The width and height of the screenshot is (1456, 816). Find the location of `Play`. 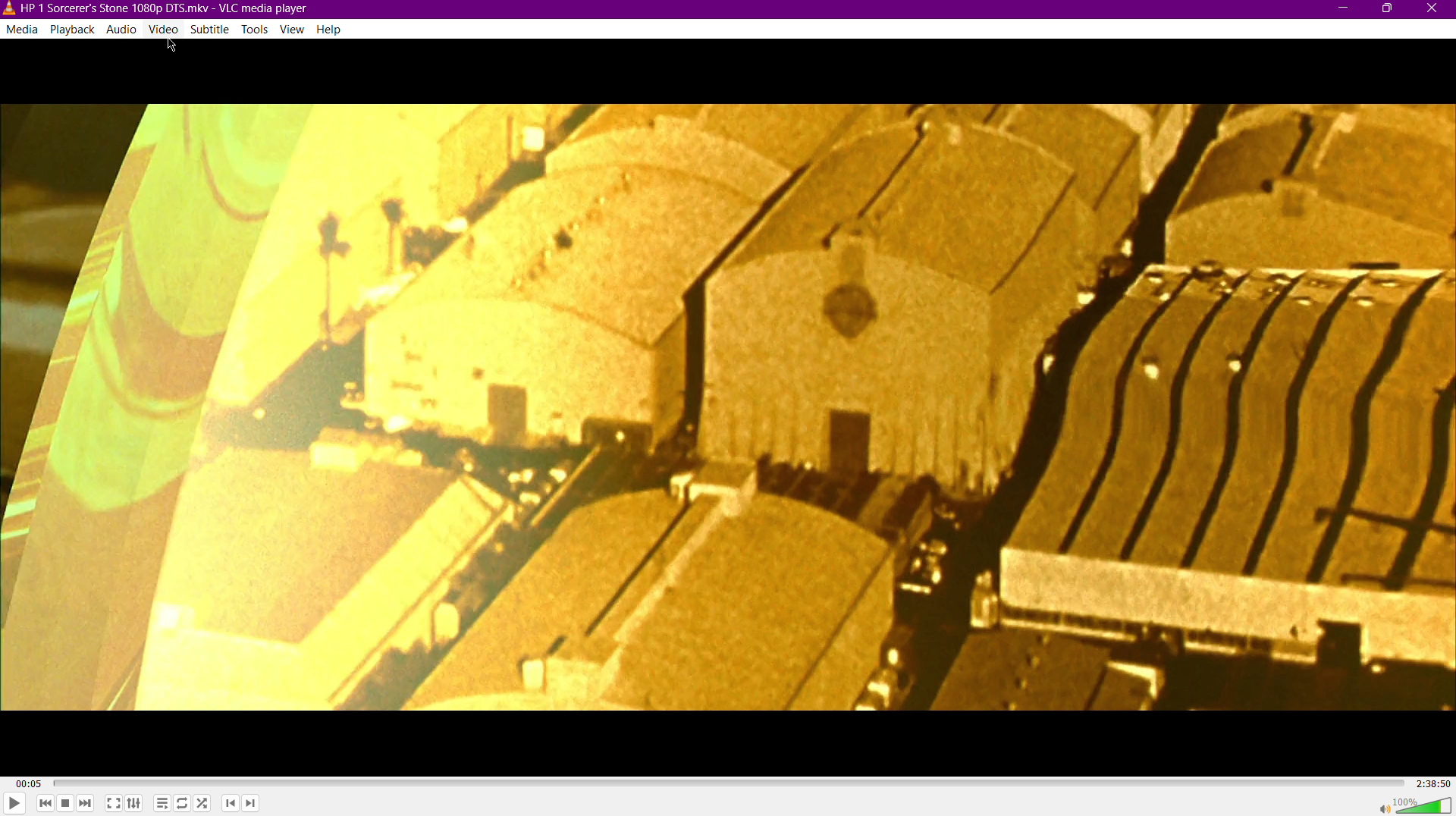

Play is located at coordinates (14, 802).